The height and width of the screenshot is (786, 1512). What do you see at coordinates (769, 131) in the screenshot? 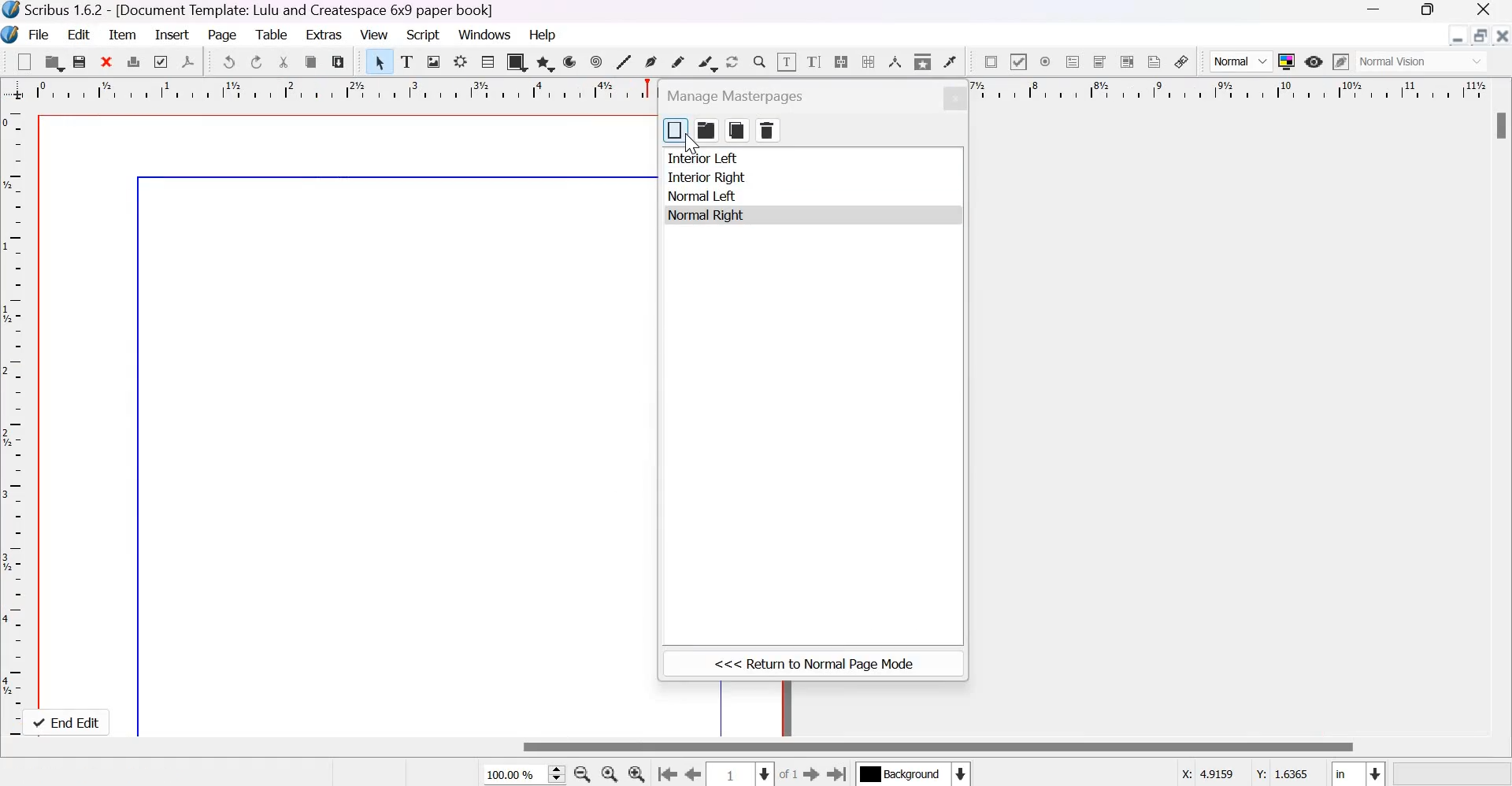
I see `delete the selected master page` at bounding box center [769, 131].